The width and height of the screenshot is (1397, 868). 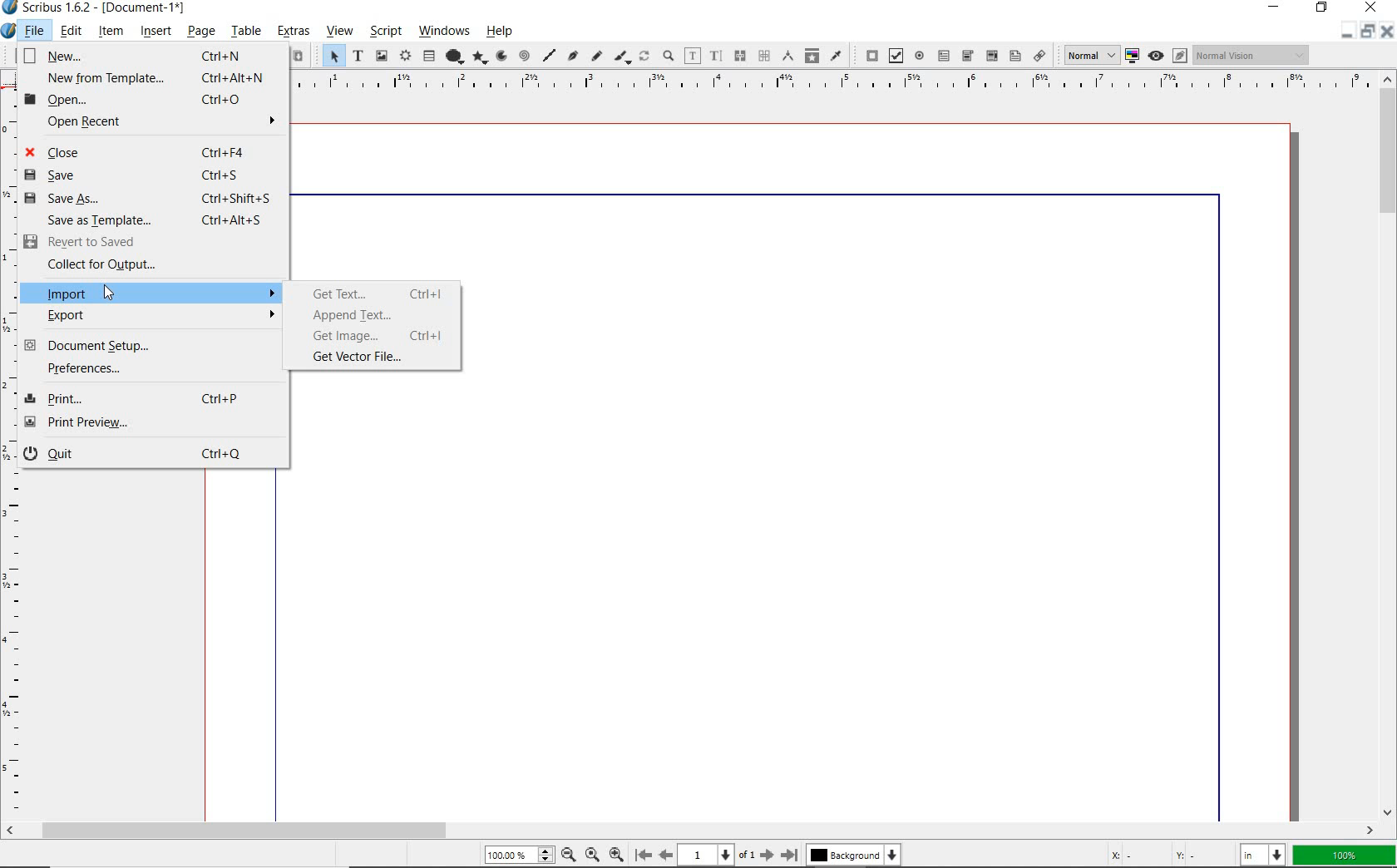 I want to click on First Page, so click(x=643, y=854).